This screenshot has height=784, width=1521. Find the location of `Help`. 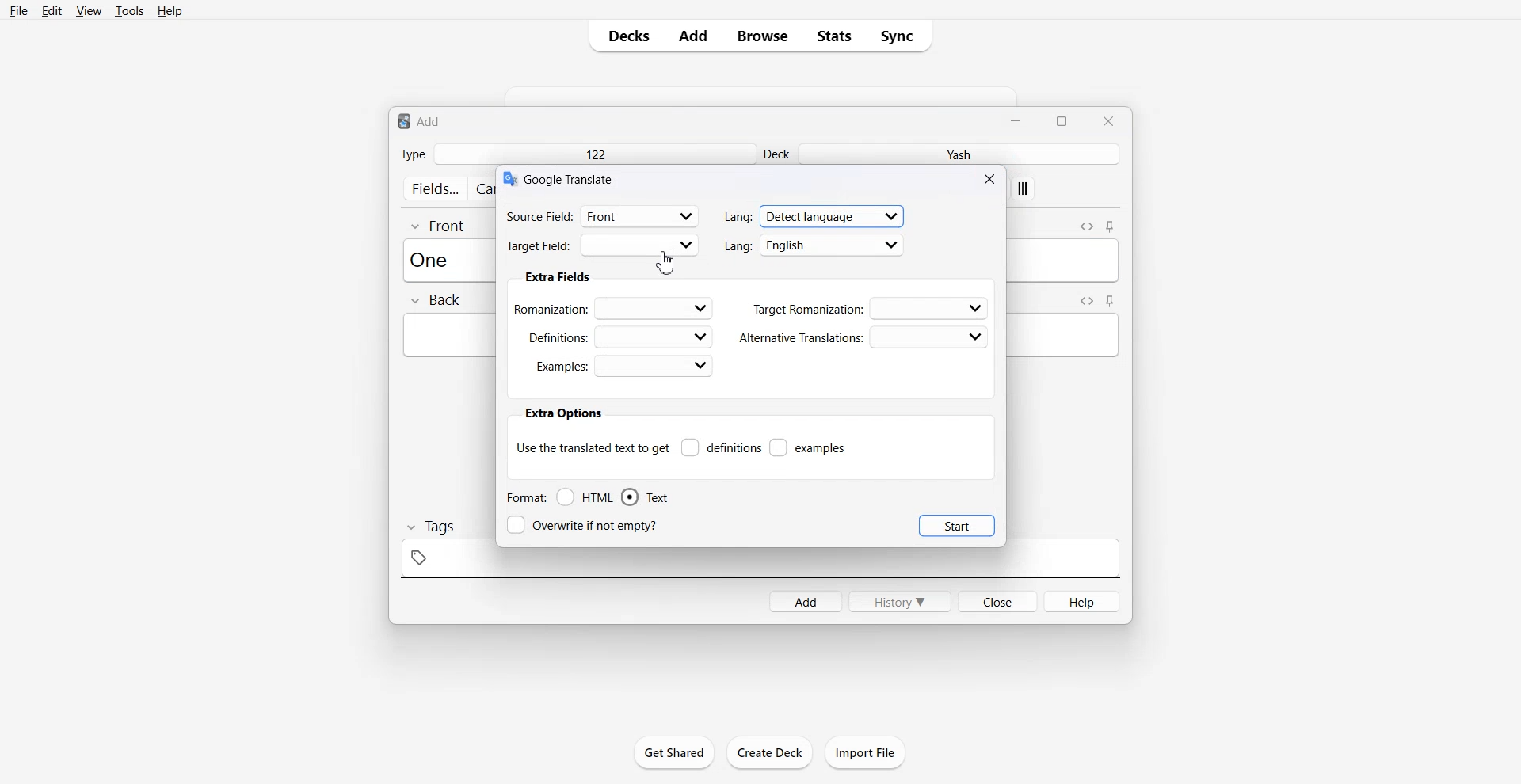

Help is located at coordinates (1083, 601).